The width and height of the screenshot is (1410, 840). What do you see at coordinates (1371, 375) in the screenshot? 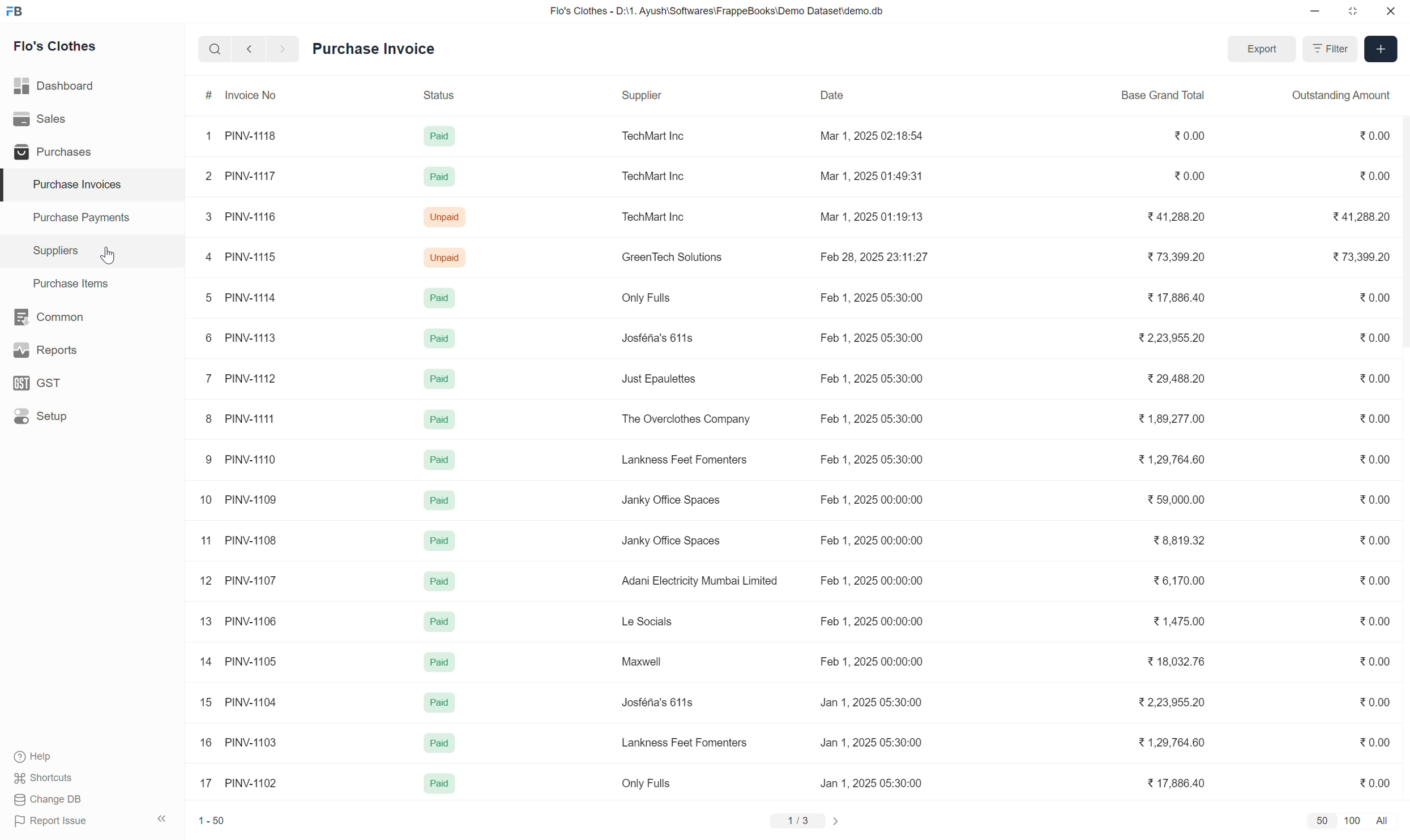
I see `20.00` at bounding box center [1371, 375].